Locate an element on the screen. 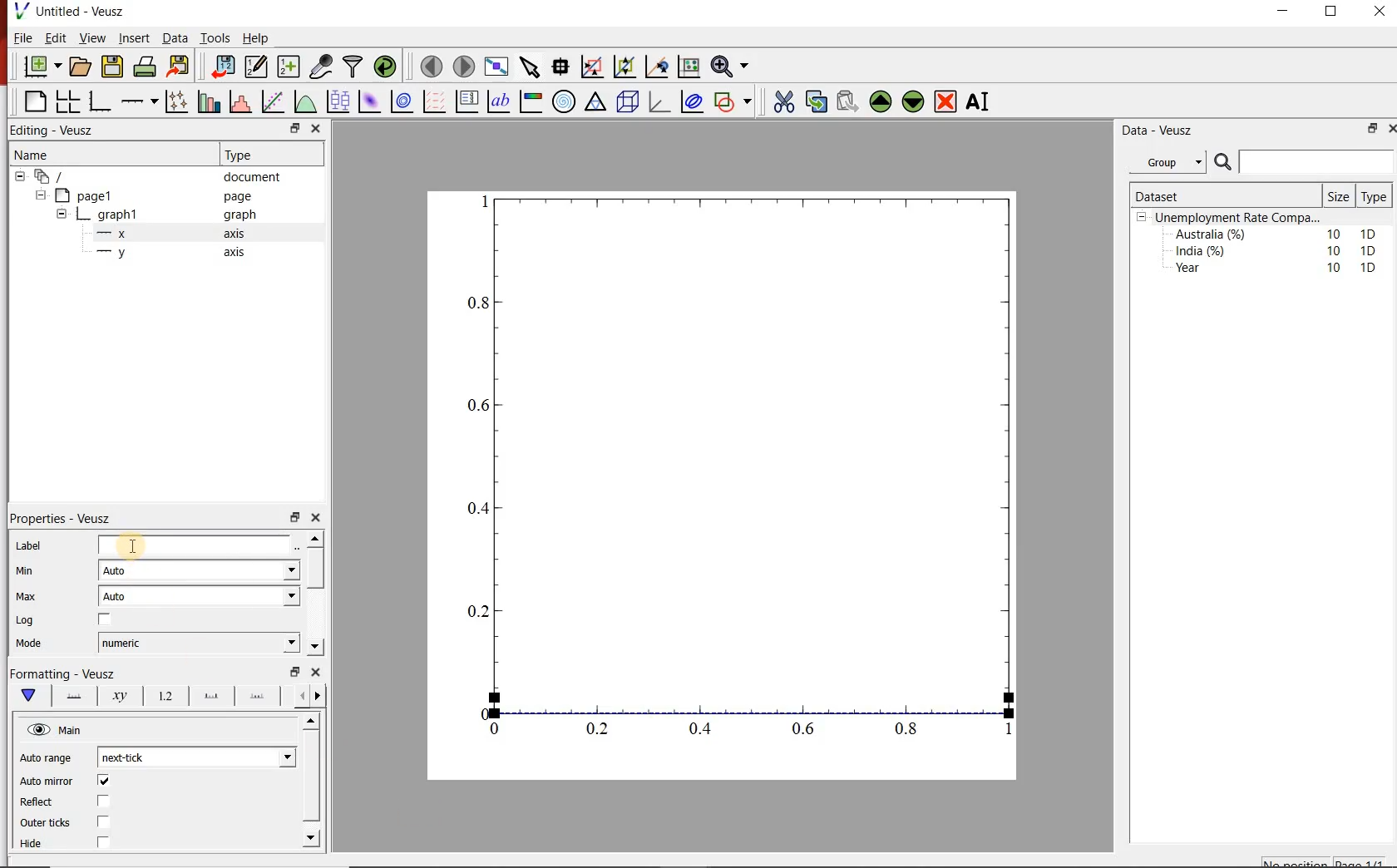 Image resolution: width=1397 pixels, height=868 pixels. scroll bar is located at coordinates (312, 776).